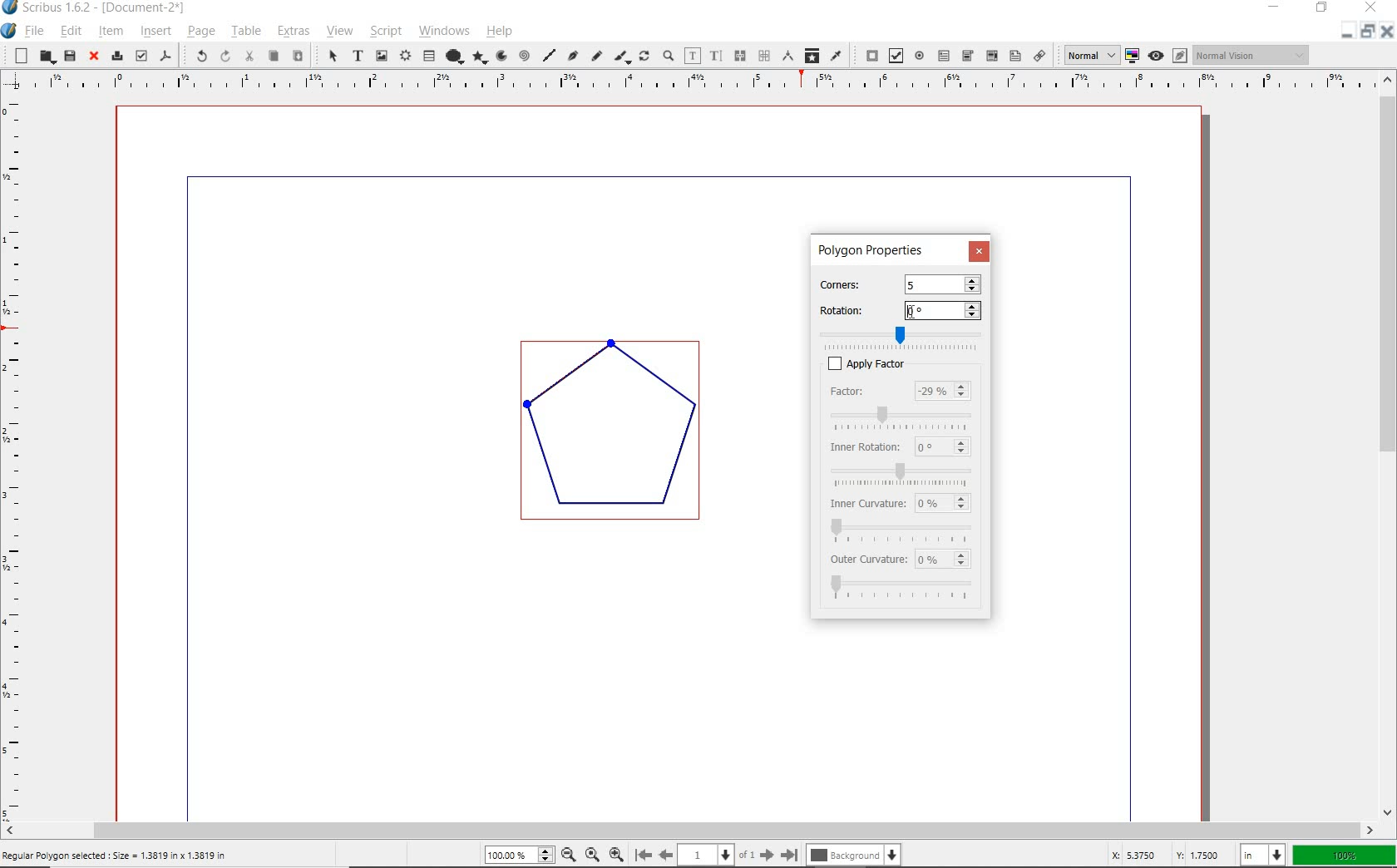  Describe the element at coordinates (521, 854) in the screenshot. I see `100%` at that location.